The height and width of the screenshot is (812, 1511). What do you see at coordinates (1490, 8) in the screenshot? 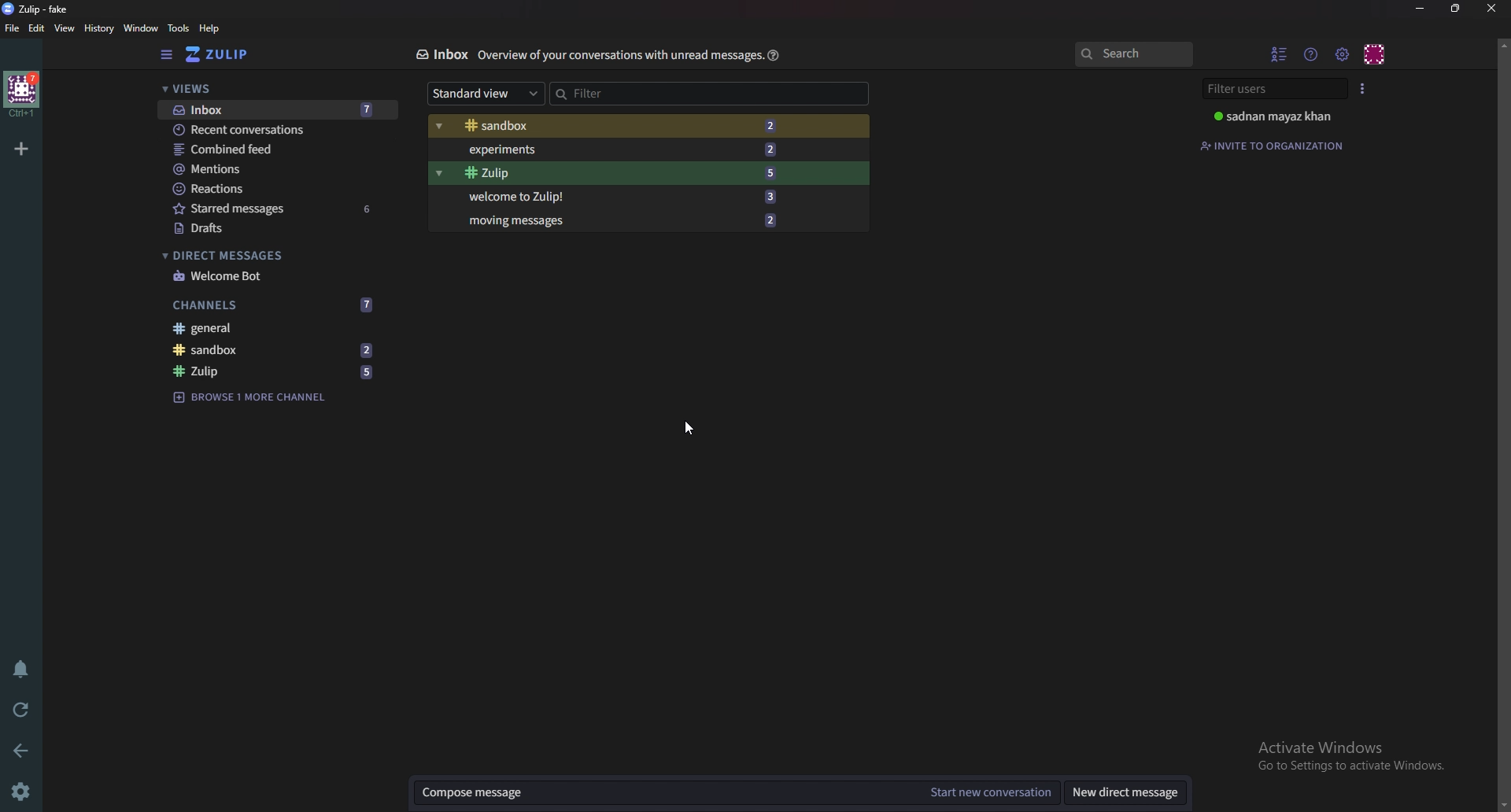
I see `close` at bounding box center [1490, 8].